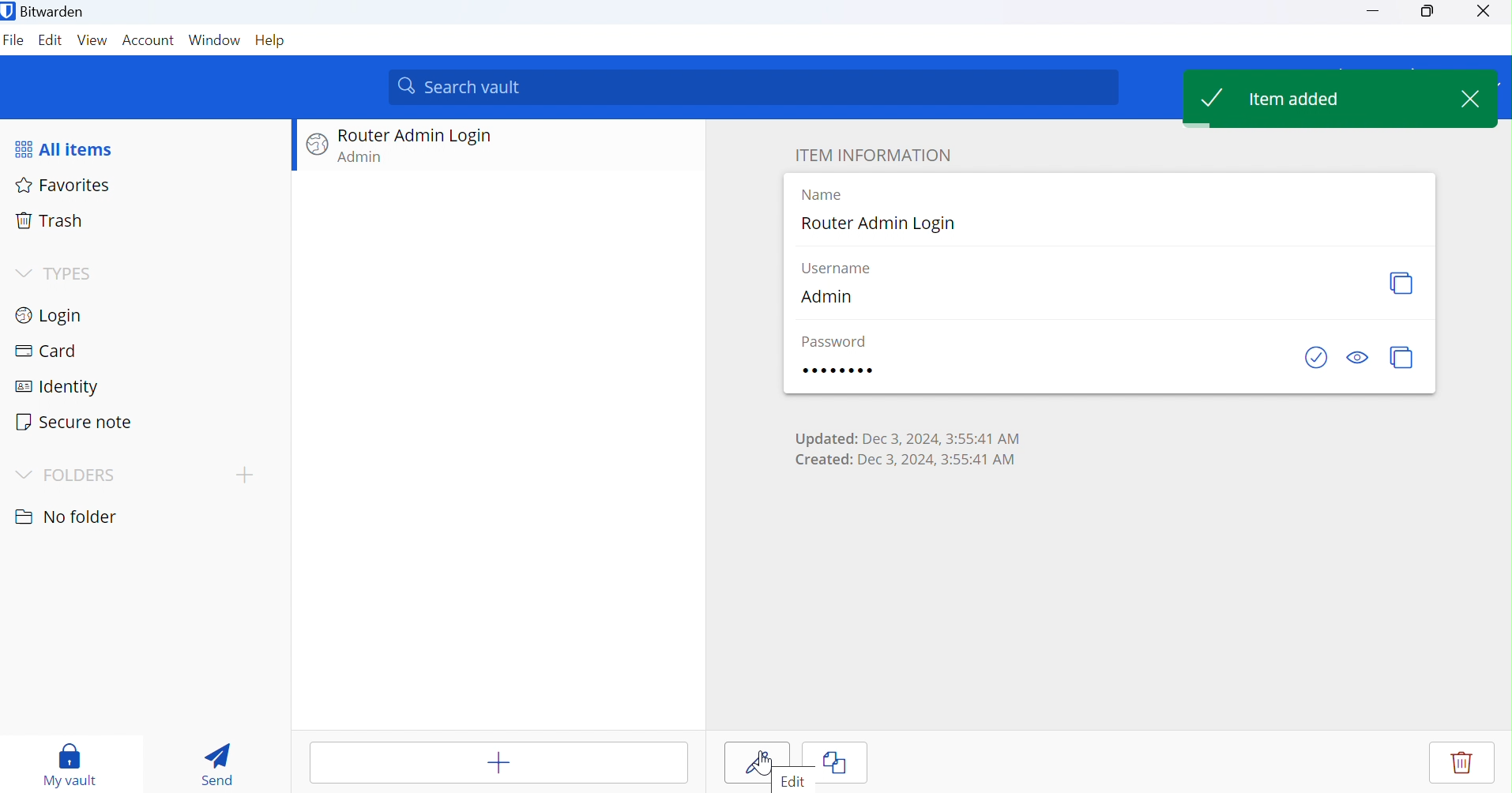 The height and width of the screenshot is (793, 1512). What do you see at coordinates (905, 440) in the screenshot?
I see `Updated: Dec 3, 2024, 3:55:41 AM` at bounding box center [905, 440].